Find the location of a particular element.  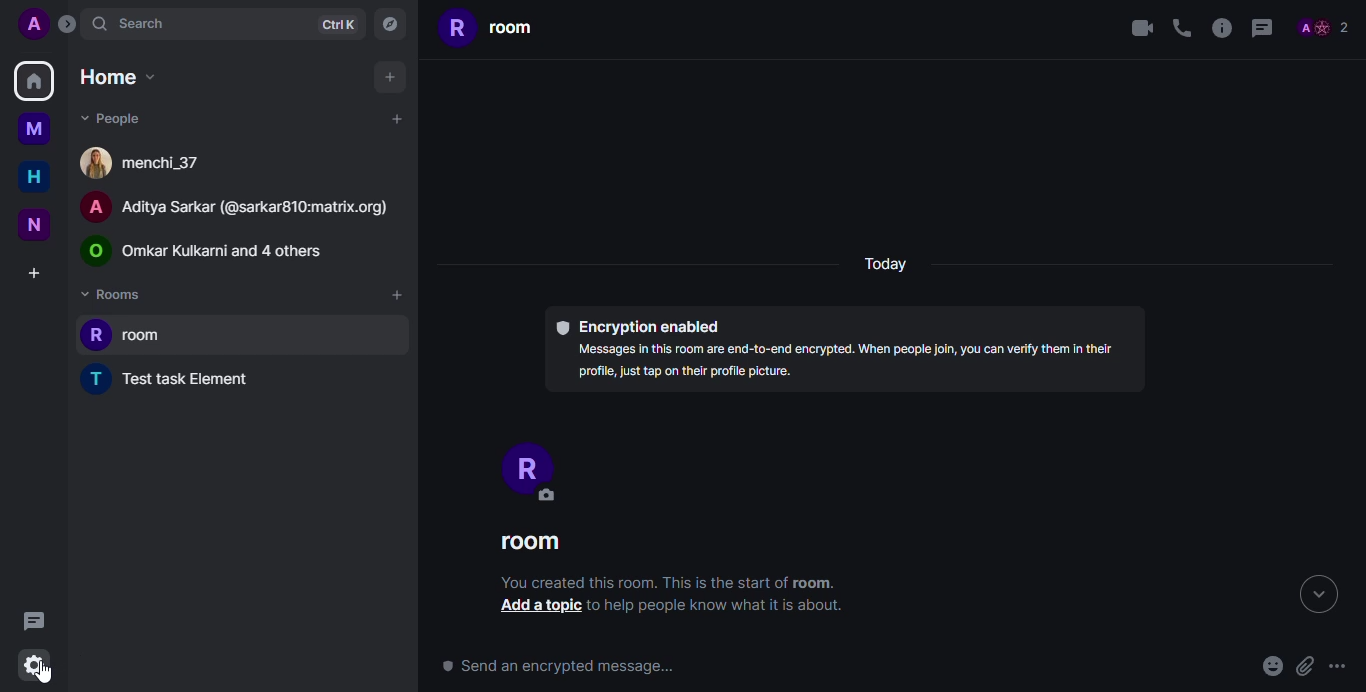

home is located at coordinates (35, 81).